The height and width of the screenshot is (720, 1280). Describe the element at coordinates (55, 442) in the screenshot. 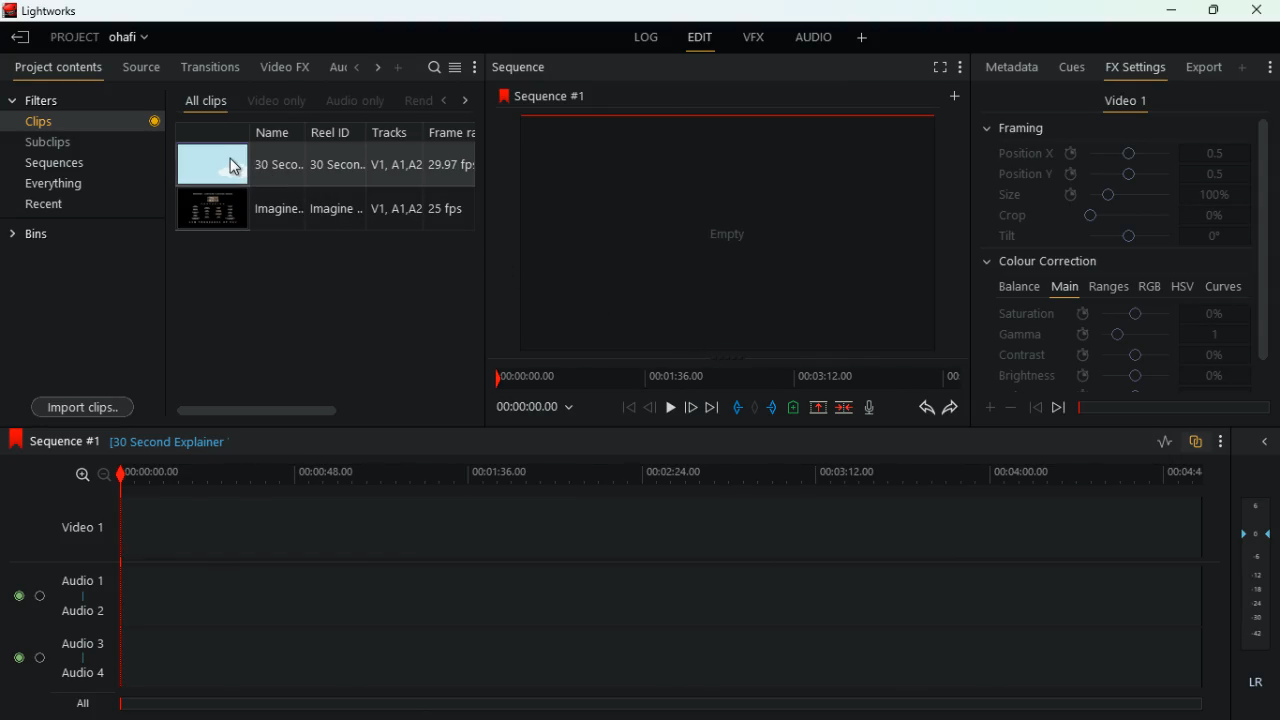

I see `sequence` at that location.